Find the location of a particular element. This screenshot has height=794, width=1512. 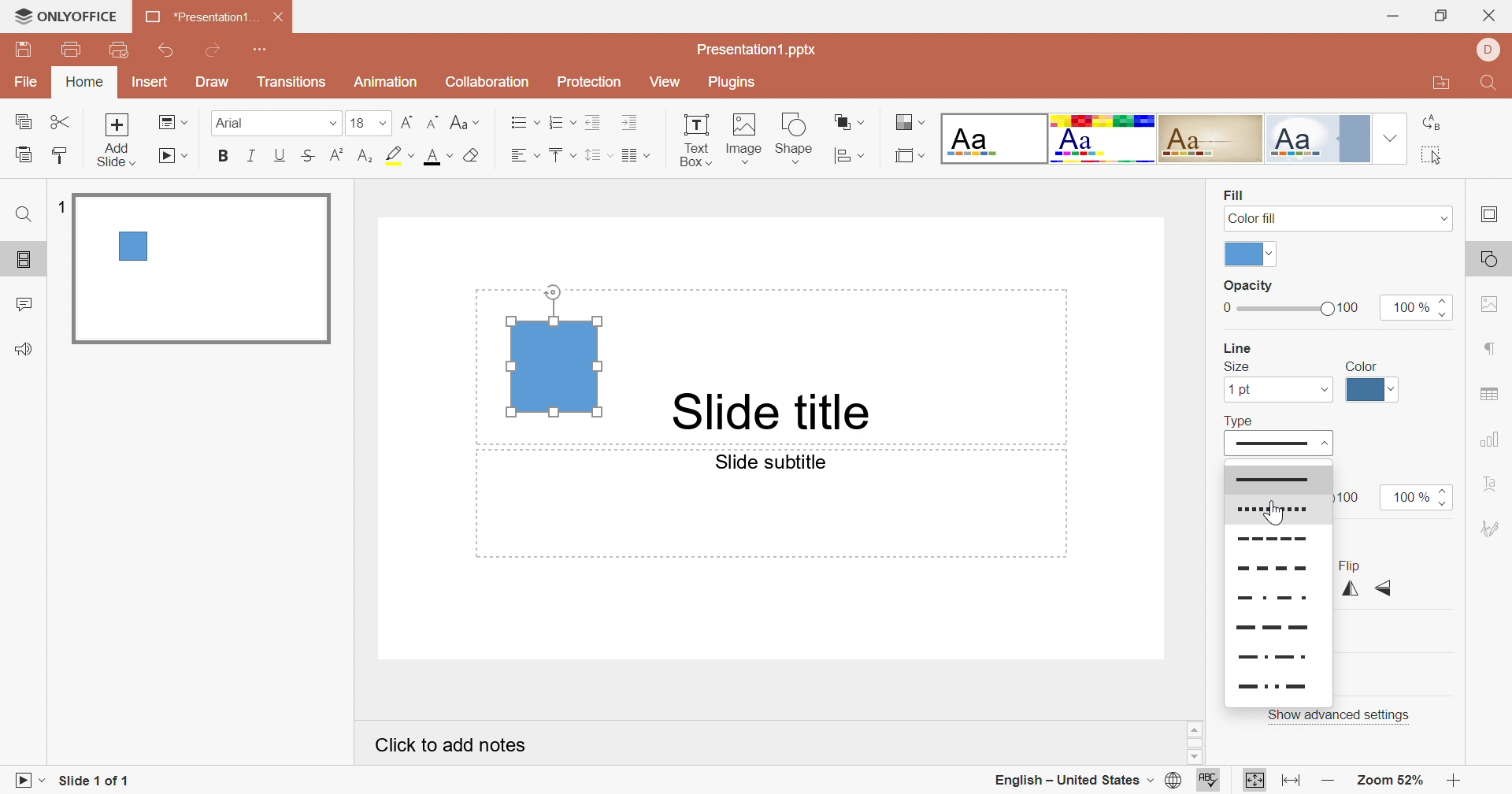

Change color theme is located at coordinates (908, 123).